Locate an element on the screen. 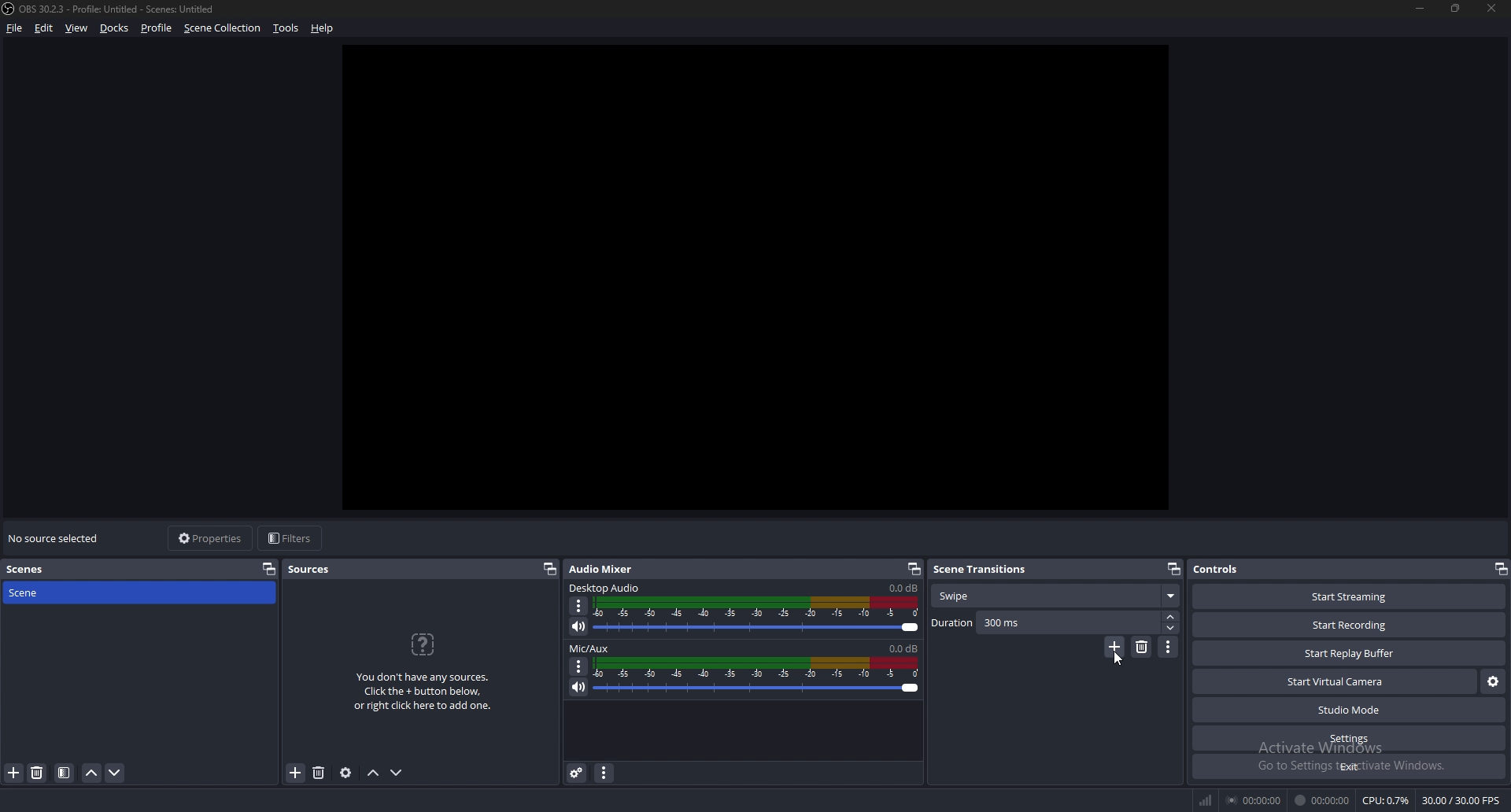 Image resolution: width=1511 pixels, height=812 pixels. no source selected is located at coordinates (57, 537).